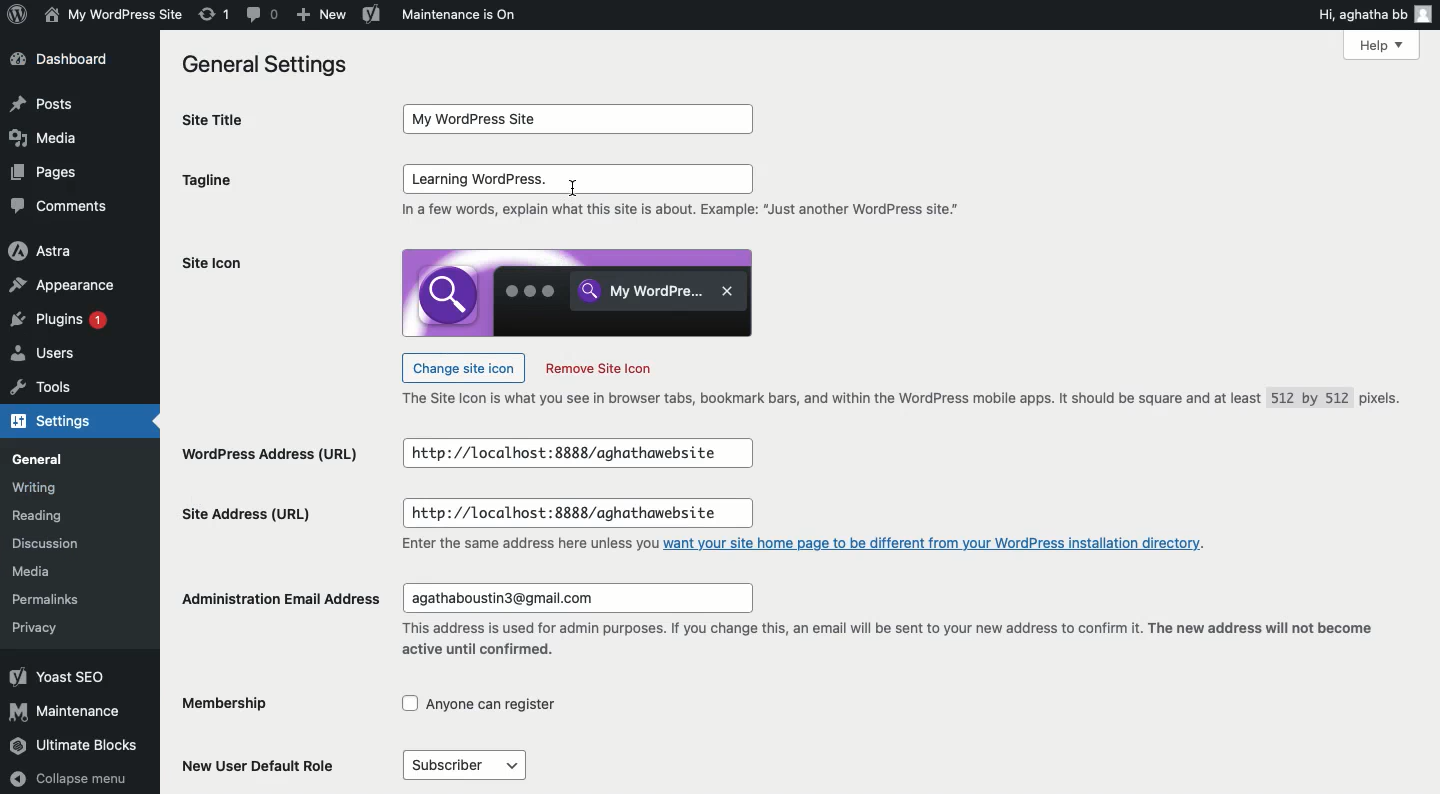  What do you see at coordinates (936, 542) in the screenshot?
I see `link` at bounding box center [936, 542].